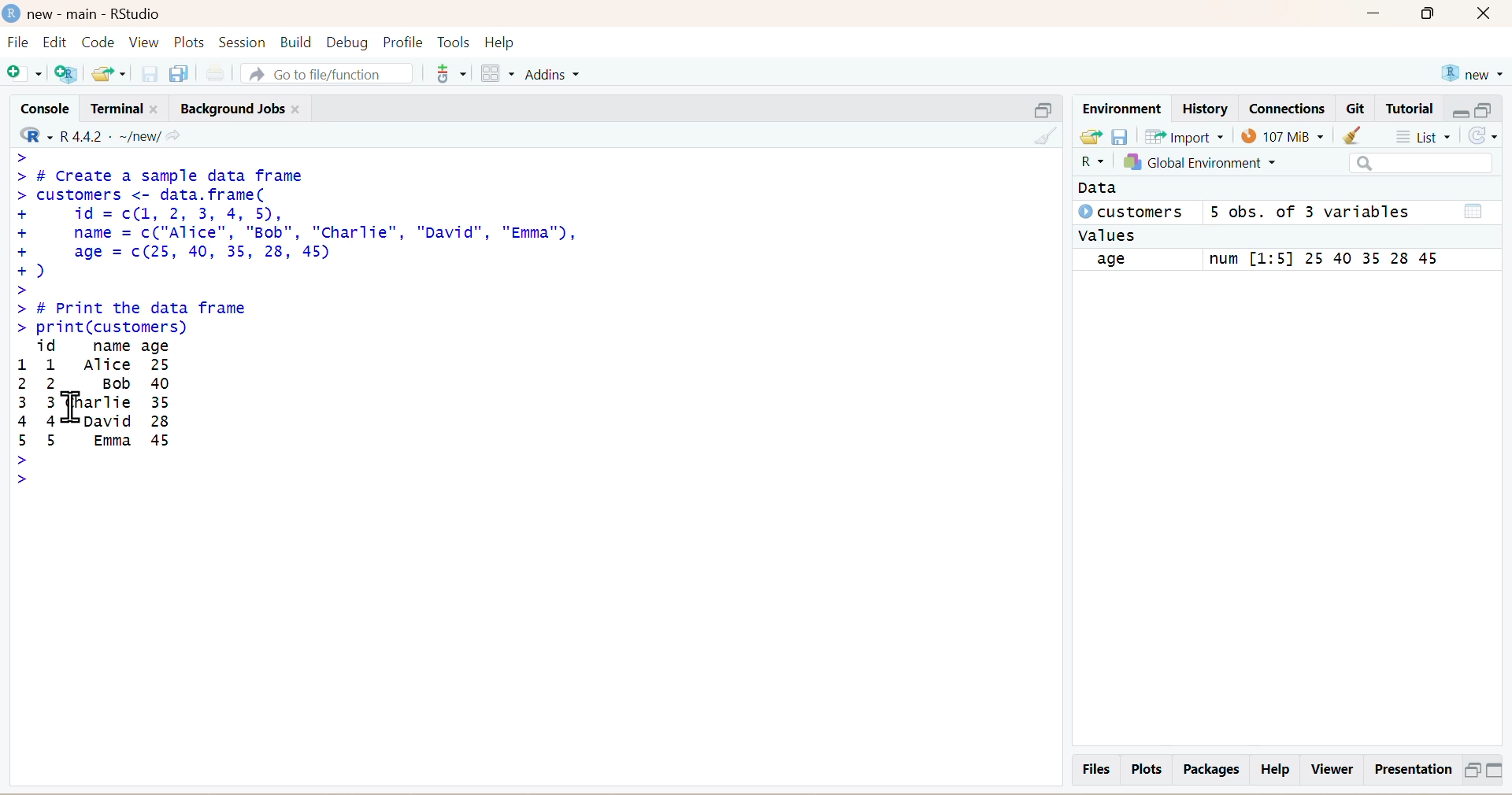 Image resolution: width=1512 pixels, height=795 pixels. What do you see at coordinates (1489, 138) in the screenshot?
I see `refresh` at bounding box center [1489, 138].